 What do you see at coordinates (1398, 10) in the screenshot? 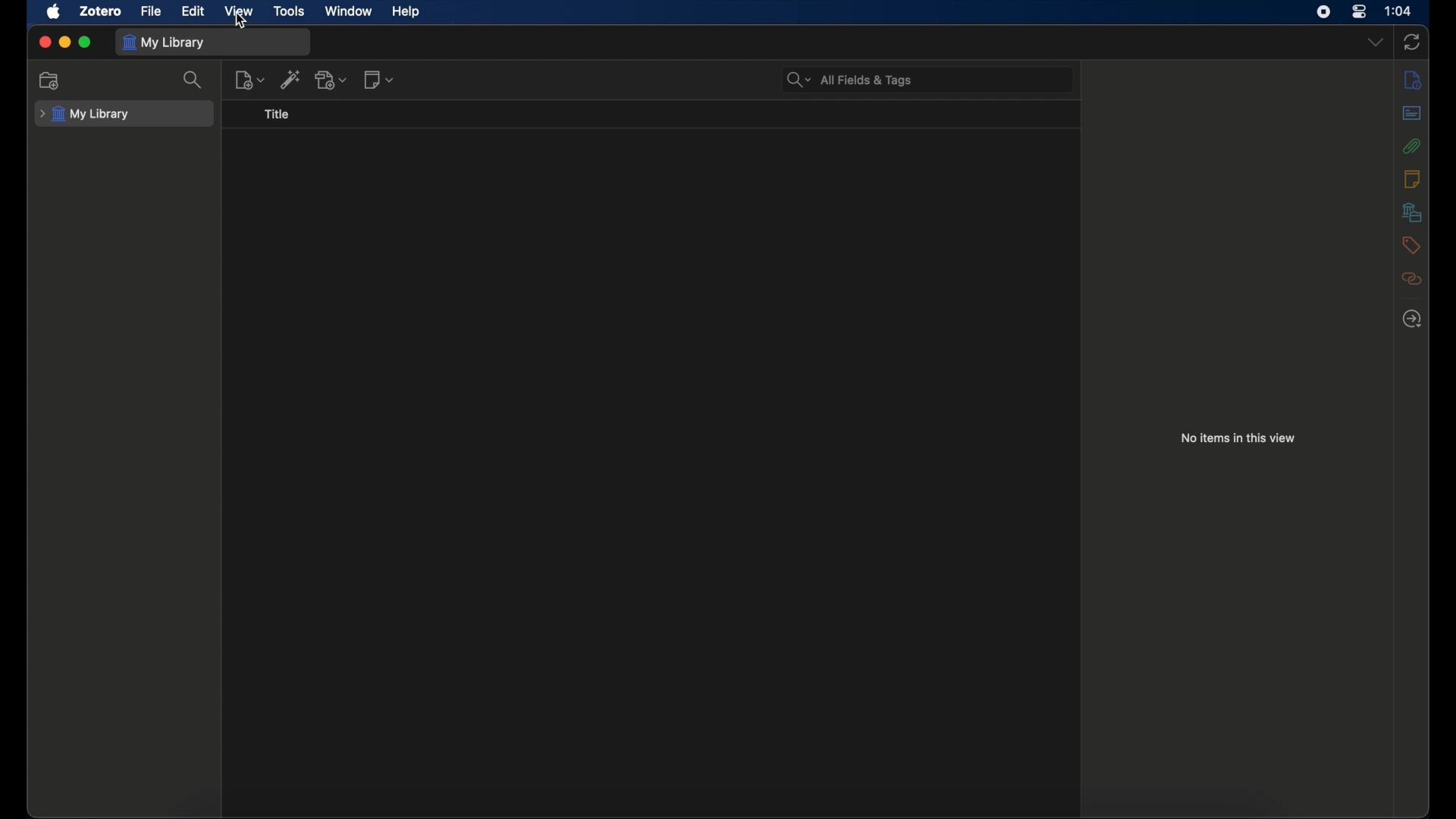
I see `time` at bounding box center [1398, 10].